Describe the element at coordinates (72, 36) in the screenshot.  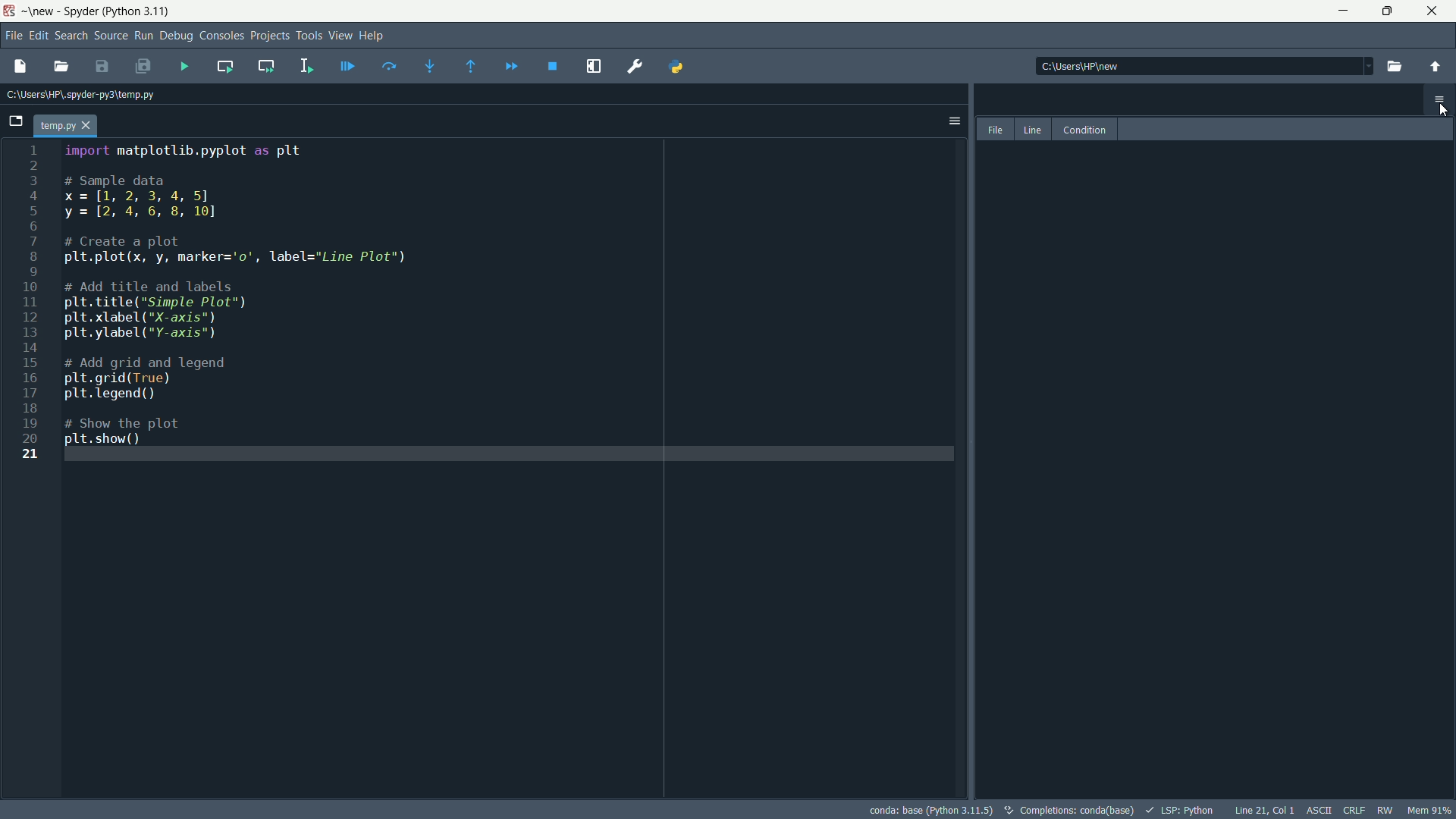
I see `search menu` at that location.